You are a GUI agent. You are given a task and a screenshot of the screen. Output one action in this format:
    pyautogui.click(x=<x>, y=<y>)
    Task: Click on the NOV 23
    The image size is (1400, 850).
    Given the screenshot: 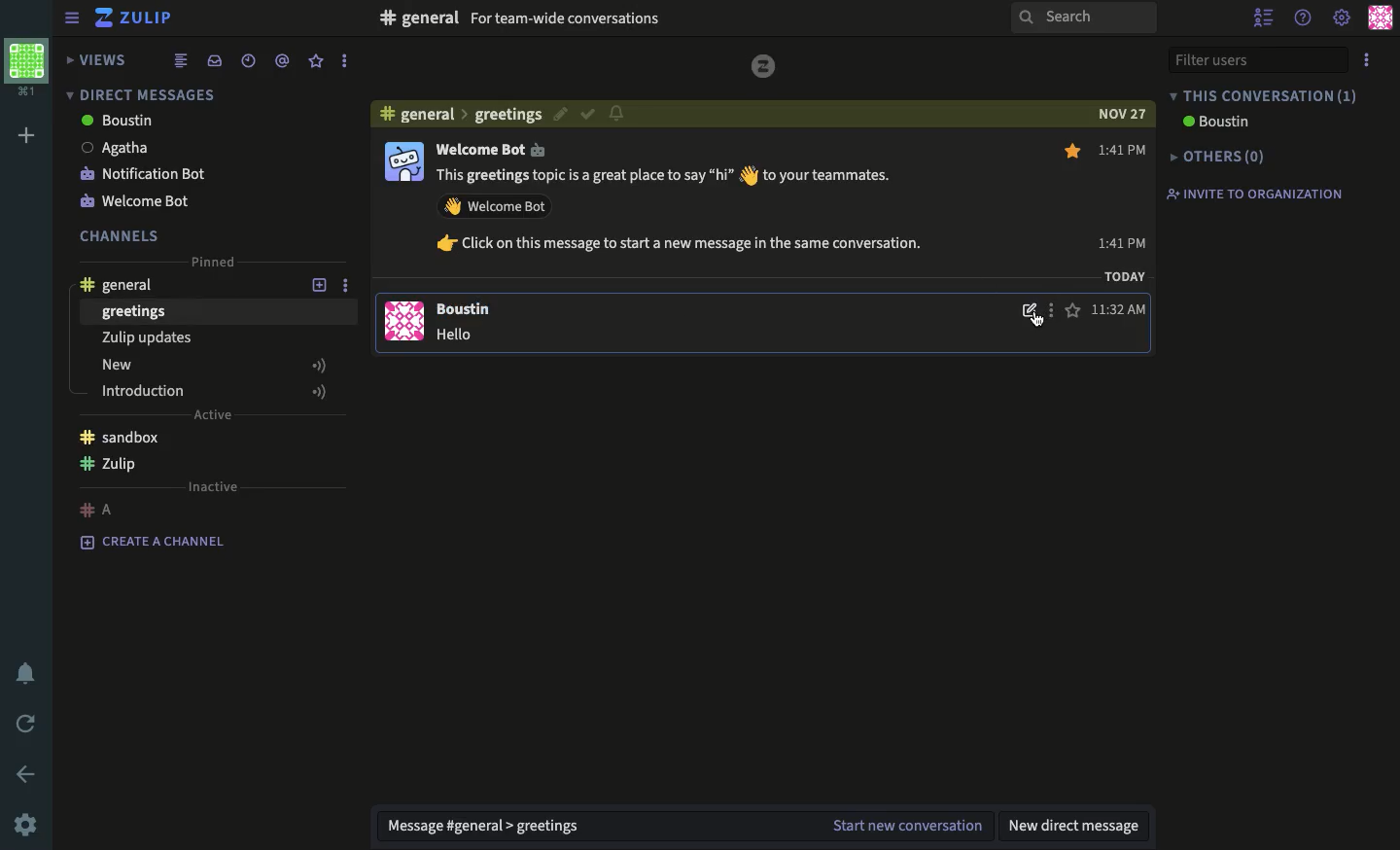 What is the action you would take?
    pyautogui.click(x=1119, y=111)
    